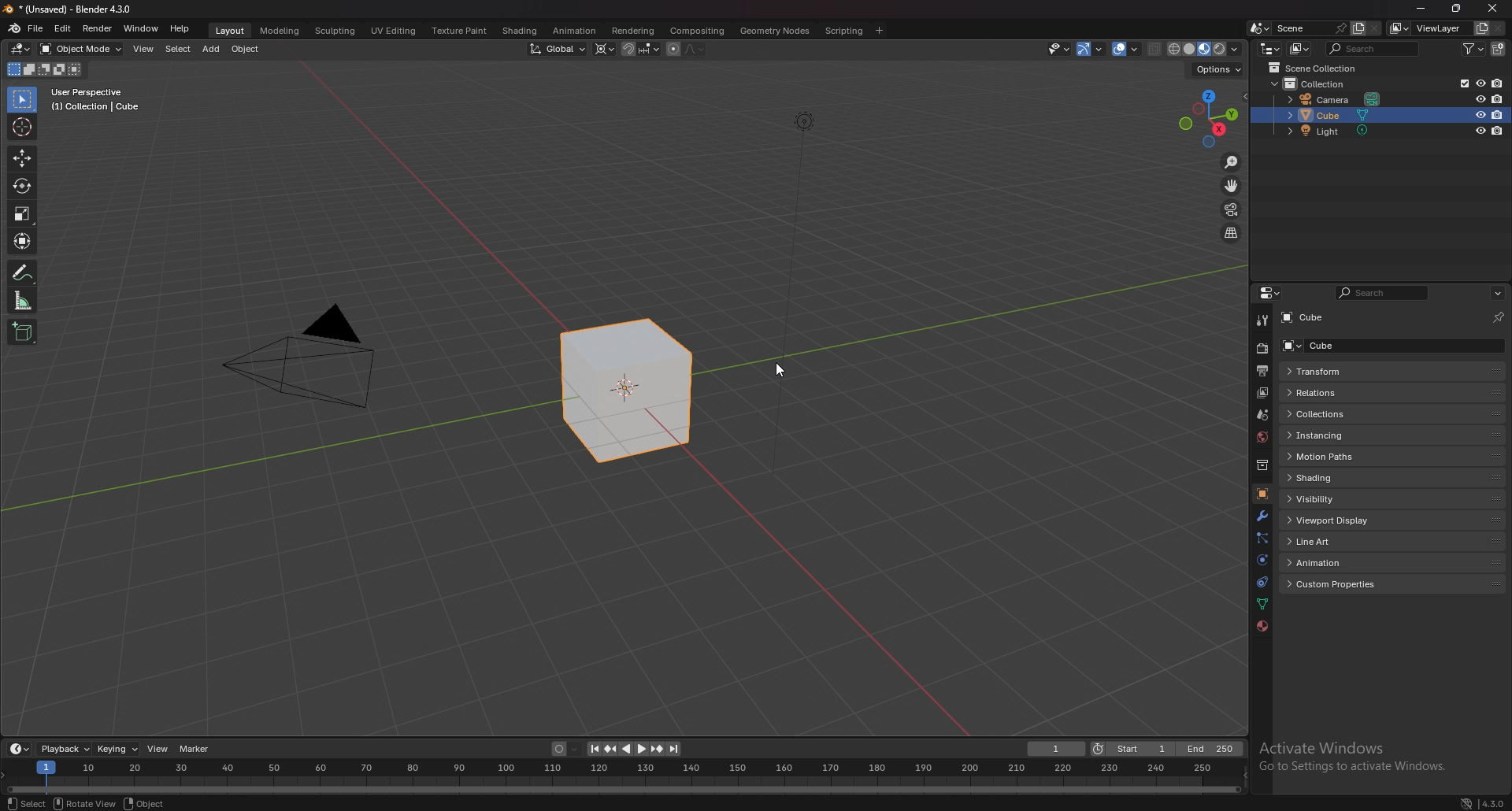  Describe the element at coordinates (13, 29) in the screenshot. I see `blender` at that location.